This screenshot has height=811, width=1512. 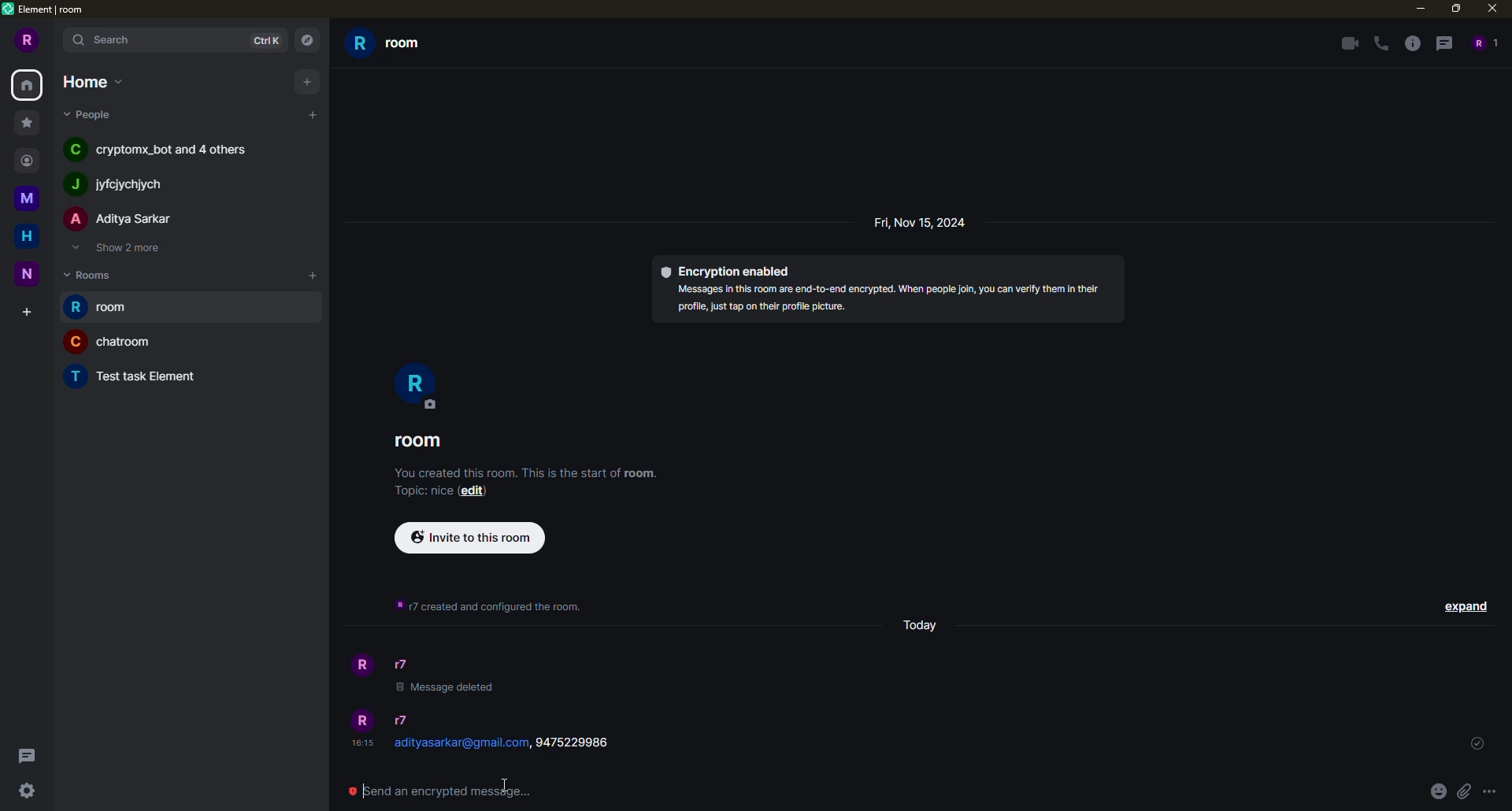 I want to click on info, so click(x=893, y=301).